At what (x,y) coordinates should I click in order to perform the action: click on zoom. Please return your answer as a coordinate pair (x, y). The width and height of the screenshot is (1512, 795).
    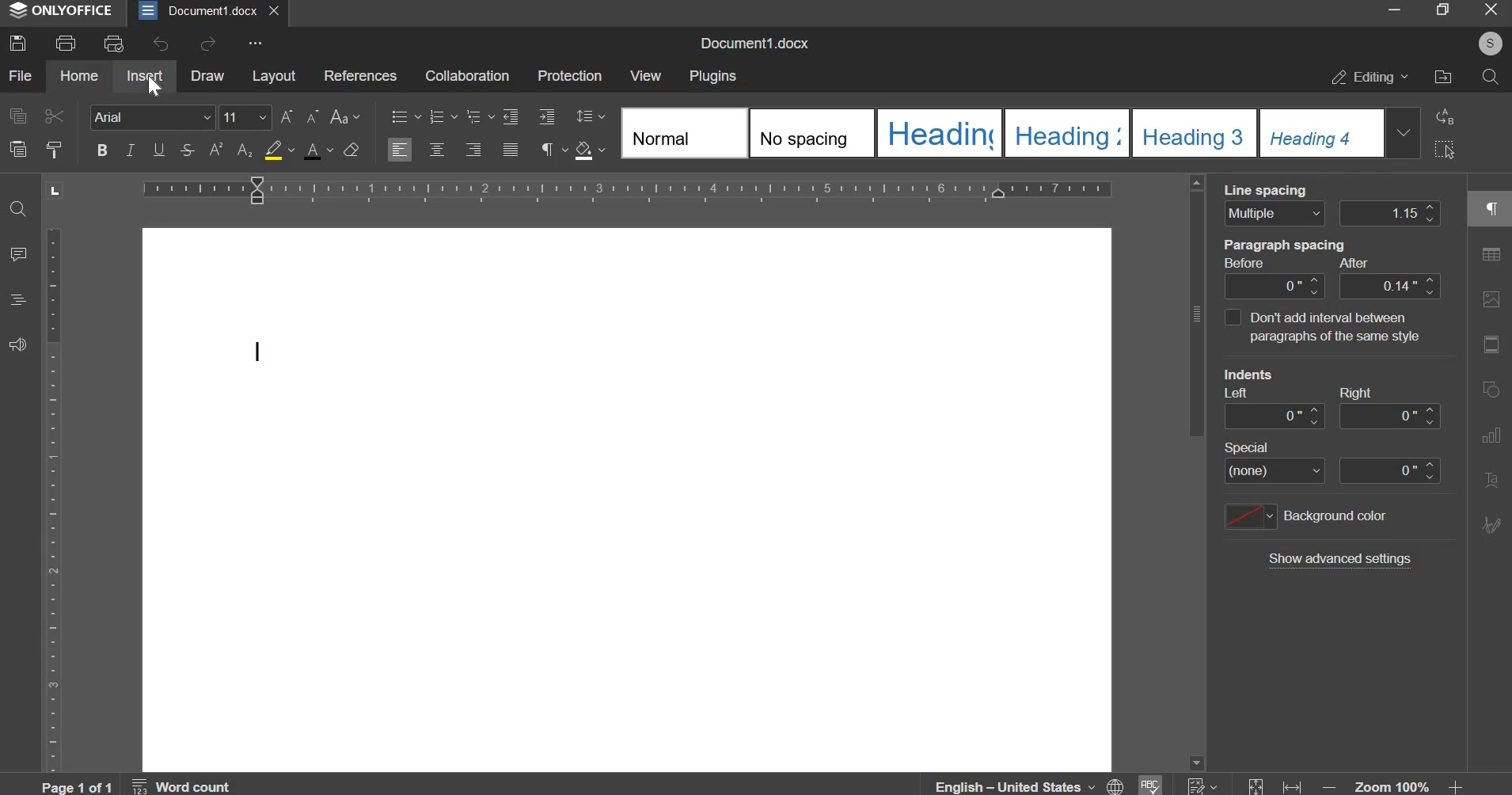
    Looking at the image, I should click on (1394, 786).